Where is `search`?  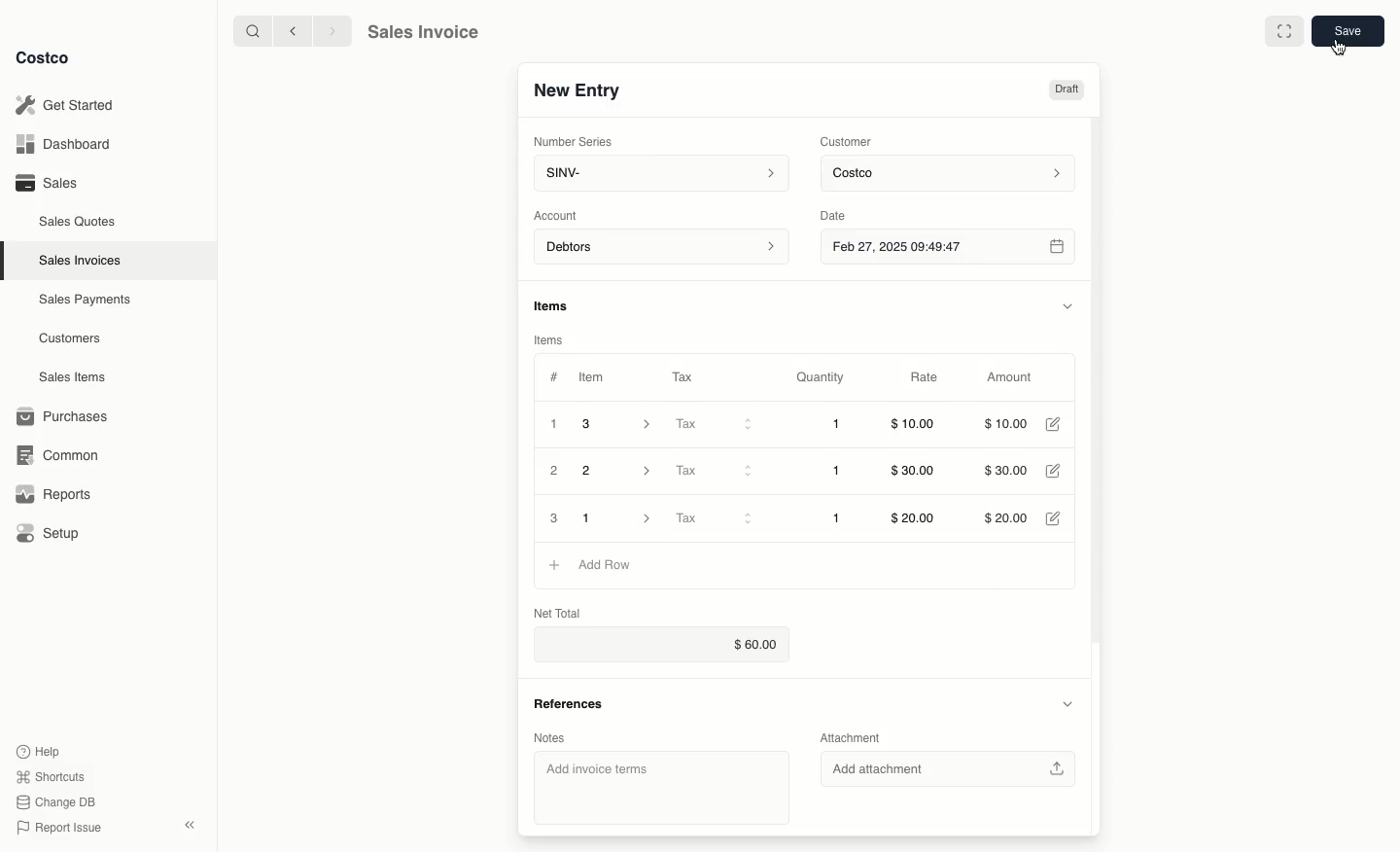
search is located at coordinates (249, 30).